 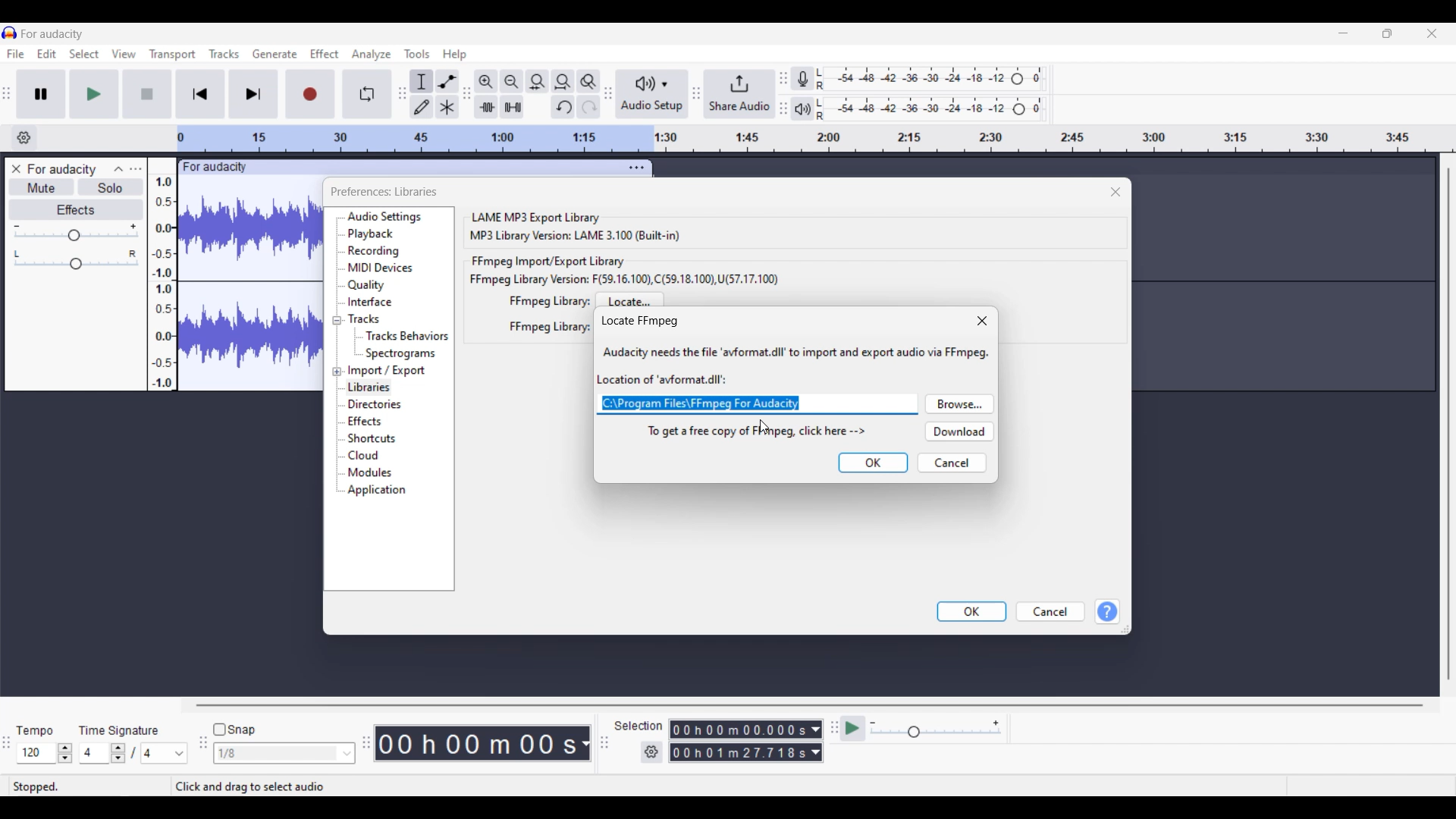 I want to click on MP3 library version: LAME 3.100 (built-in), so click(x=575, y=236).